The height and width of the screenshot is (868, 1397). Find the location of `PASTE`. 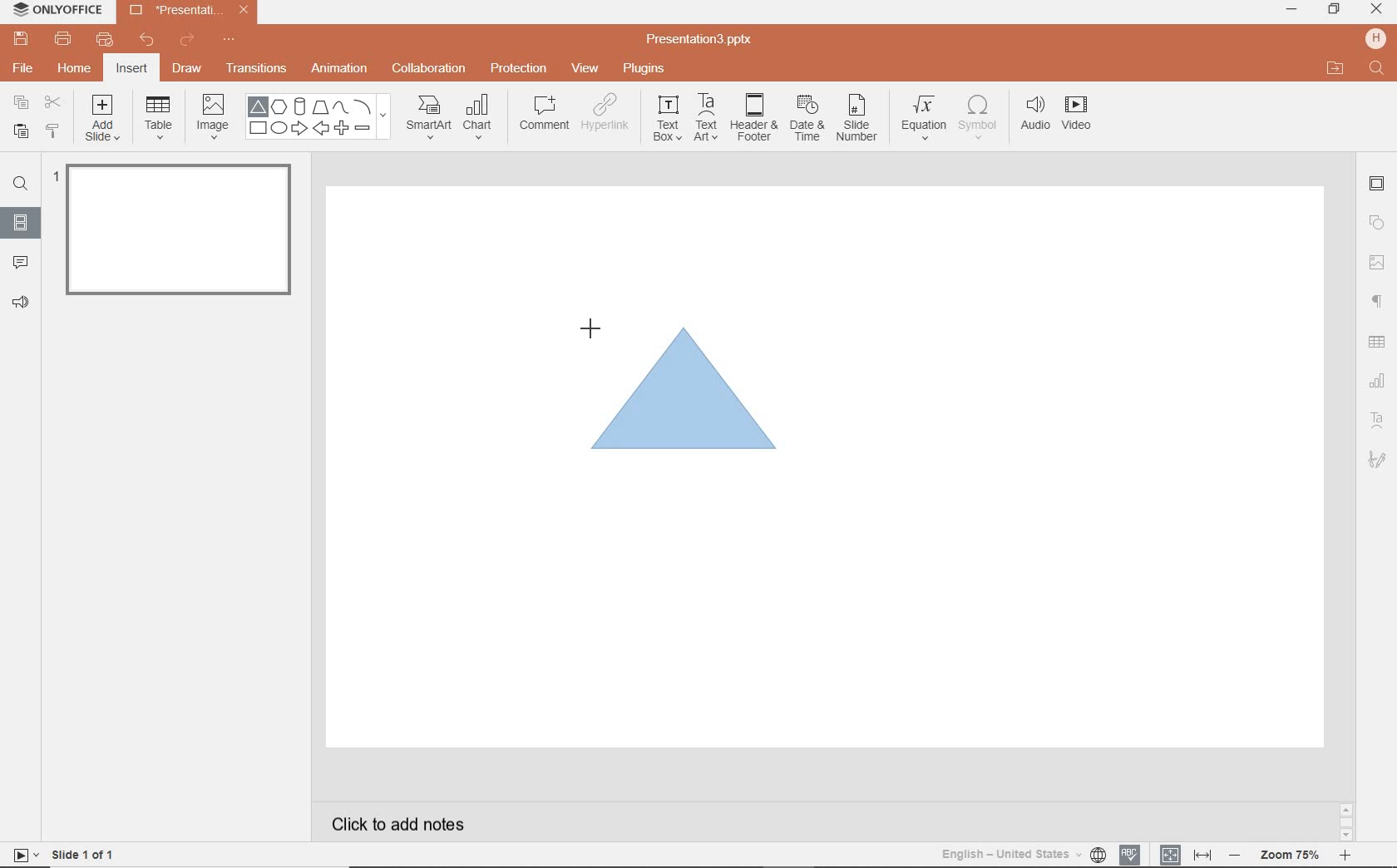

PASTE is located at coordinates (17, 132).